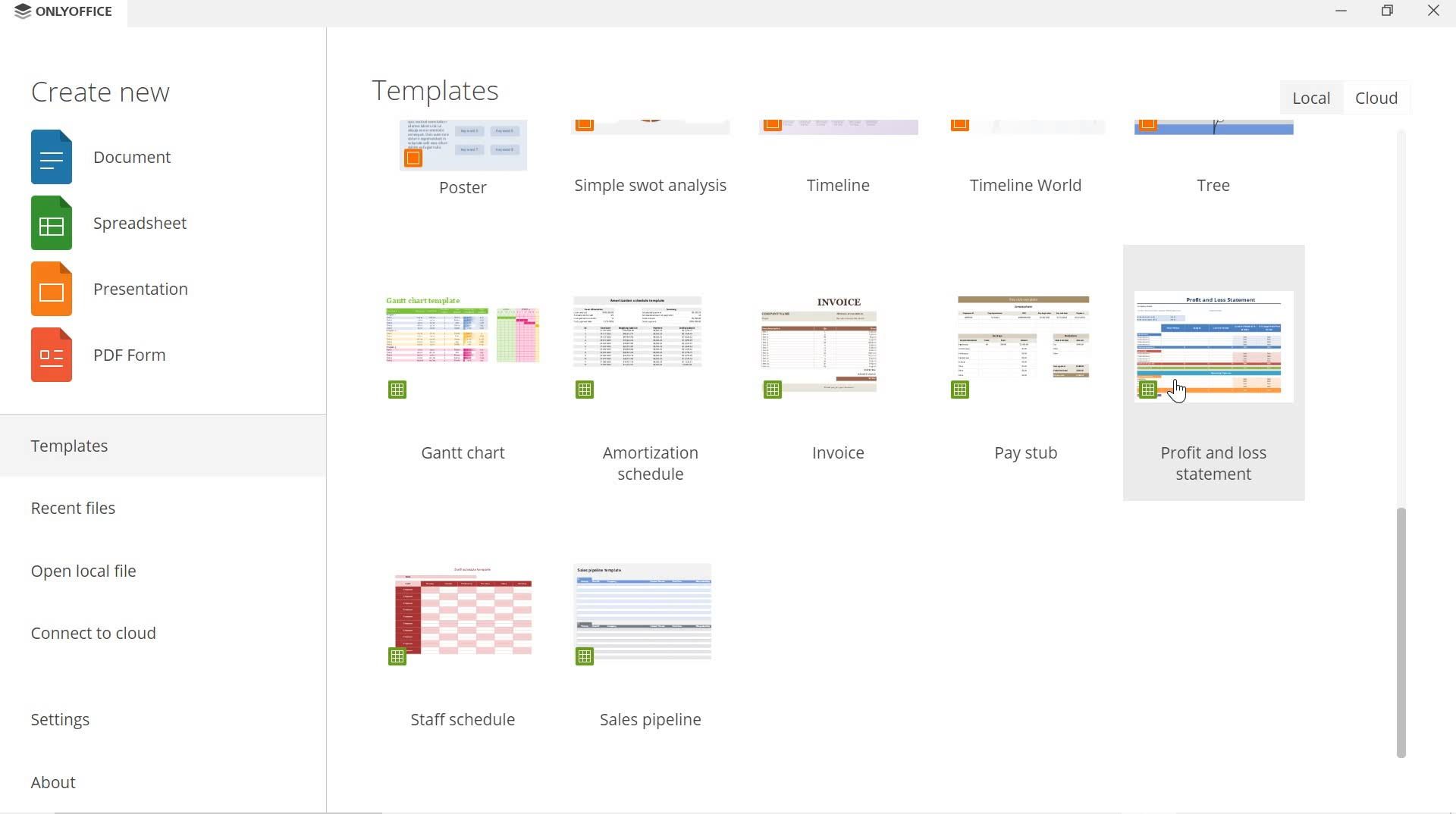  What do you see at coordinates (1028, 453) in the screenshot?
I see `Pay stub` at bounding box center [1028, 453].